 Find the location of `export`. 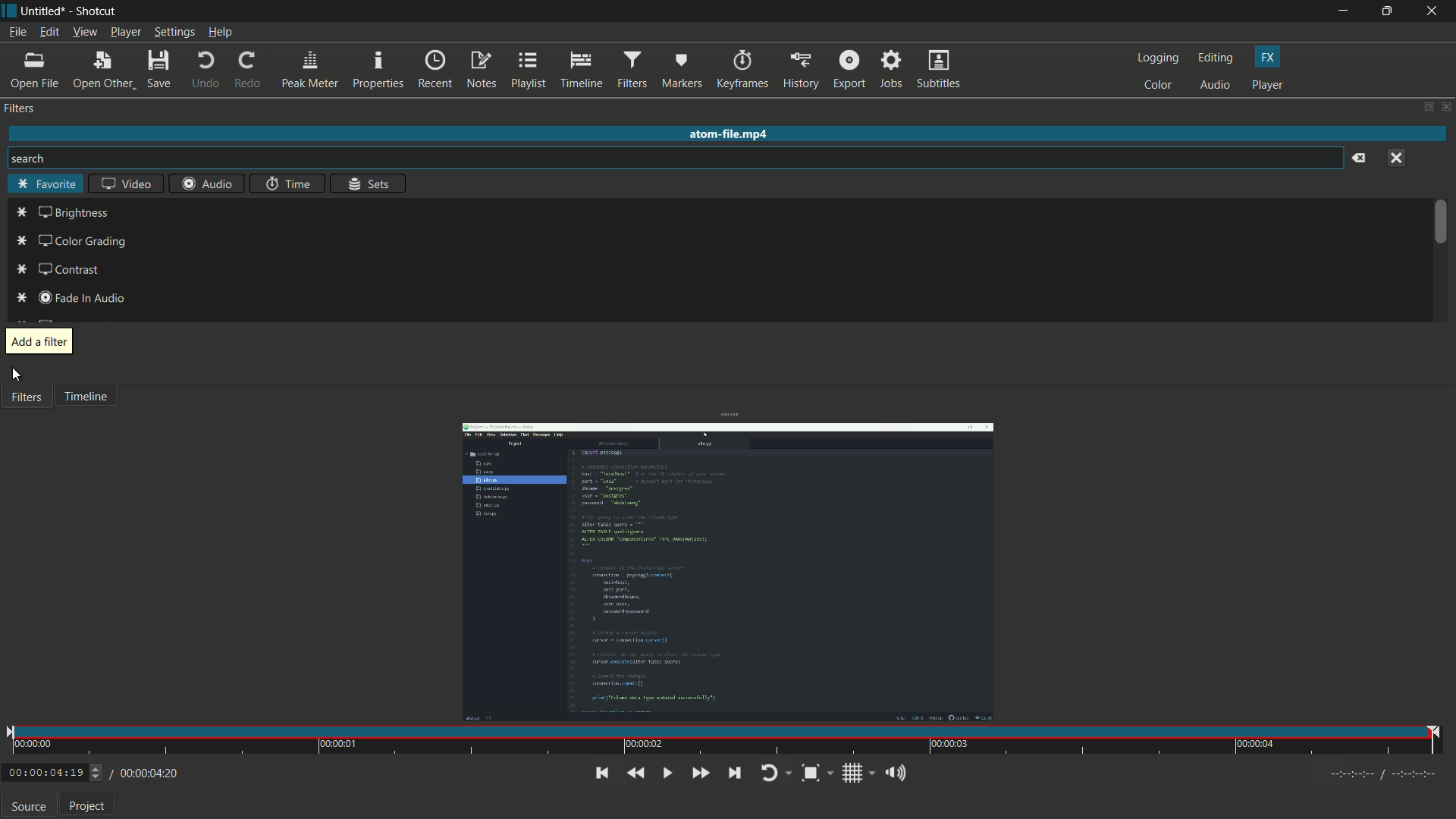

export is located at coordinates (847, 71).